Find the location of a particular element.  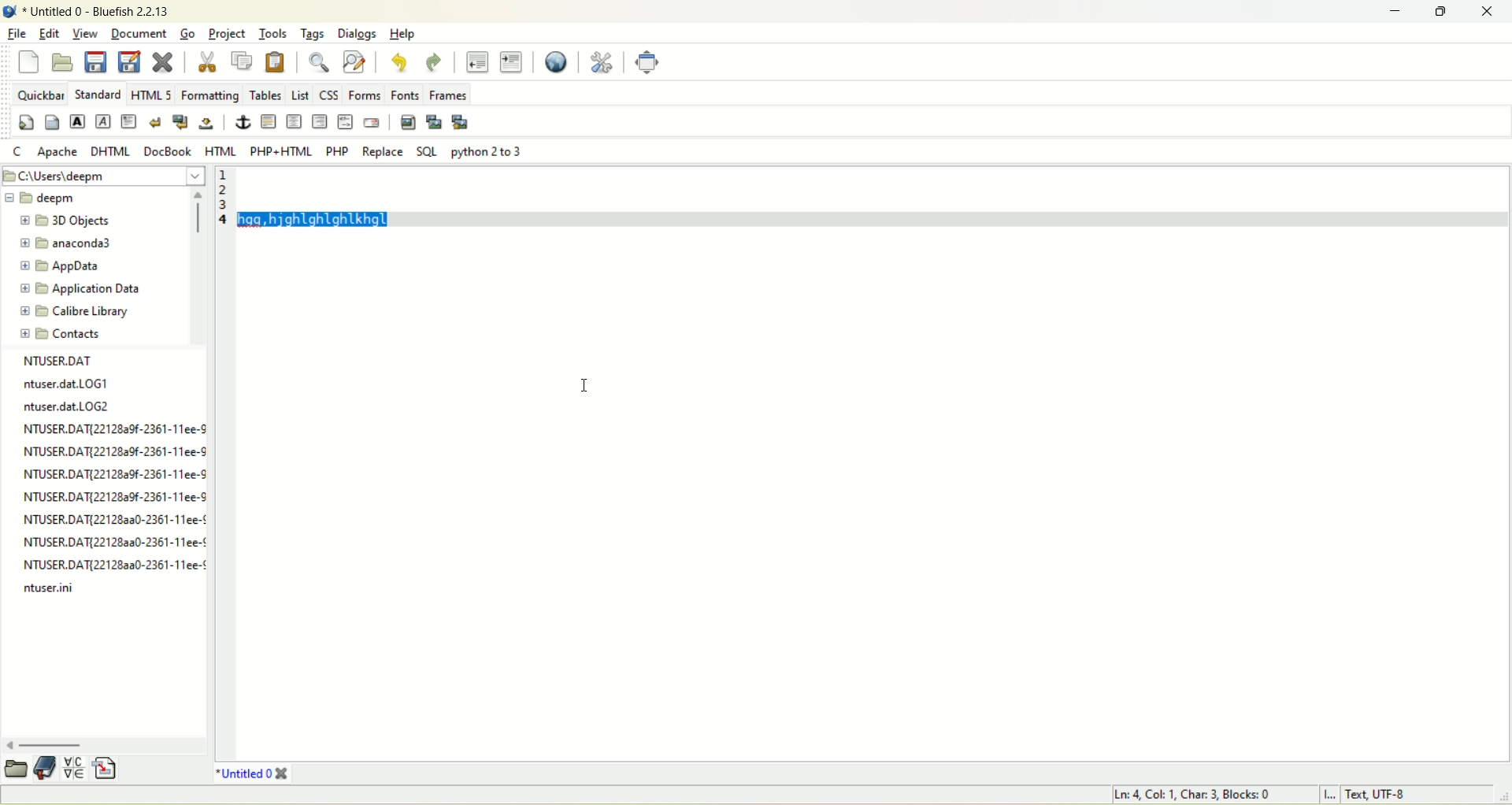

close is located at coordinates (1492, 11).